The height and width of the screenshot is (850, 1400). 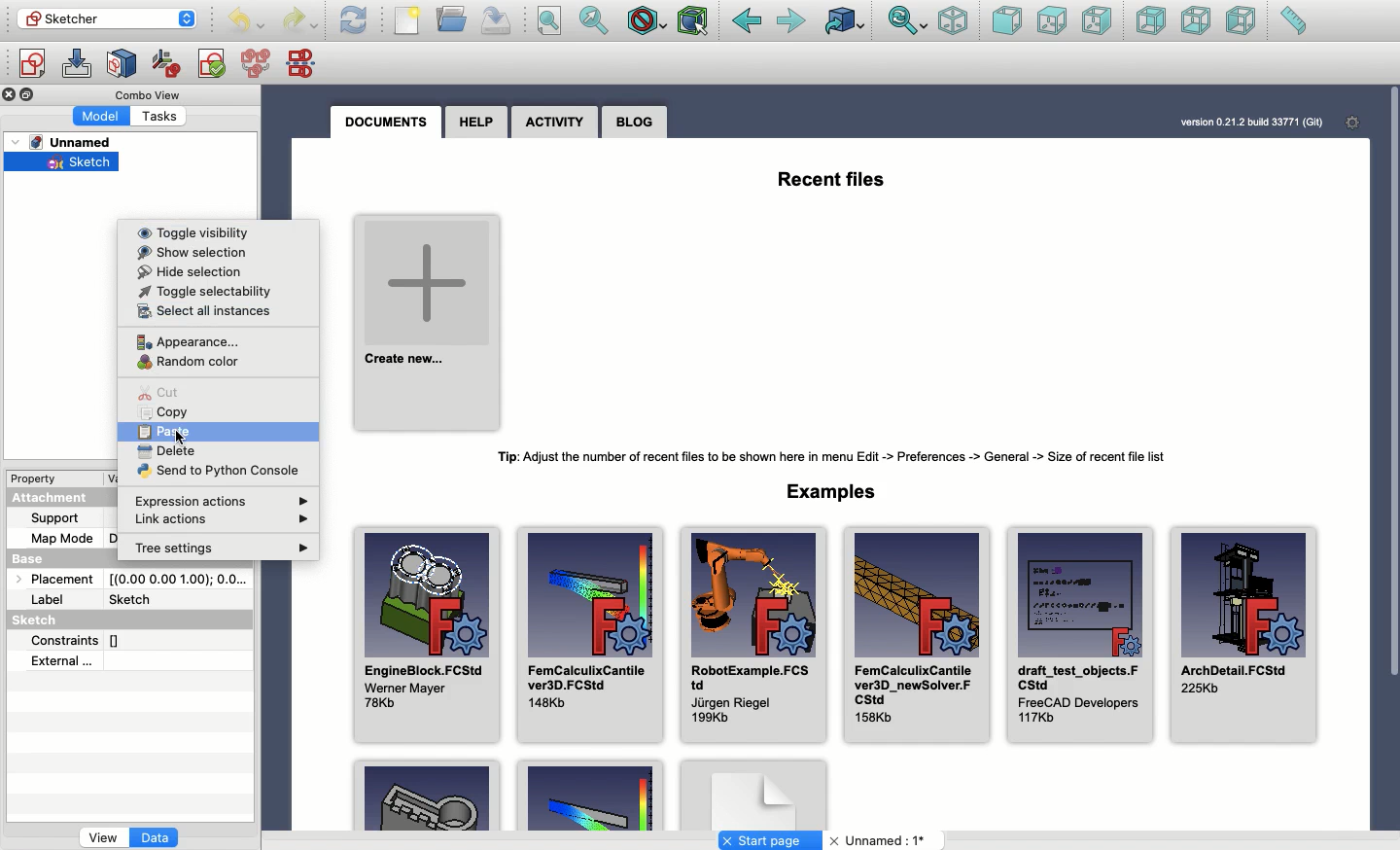 I want to click on Unnamed, so click(x=881, y=841).